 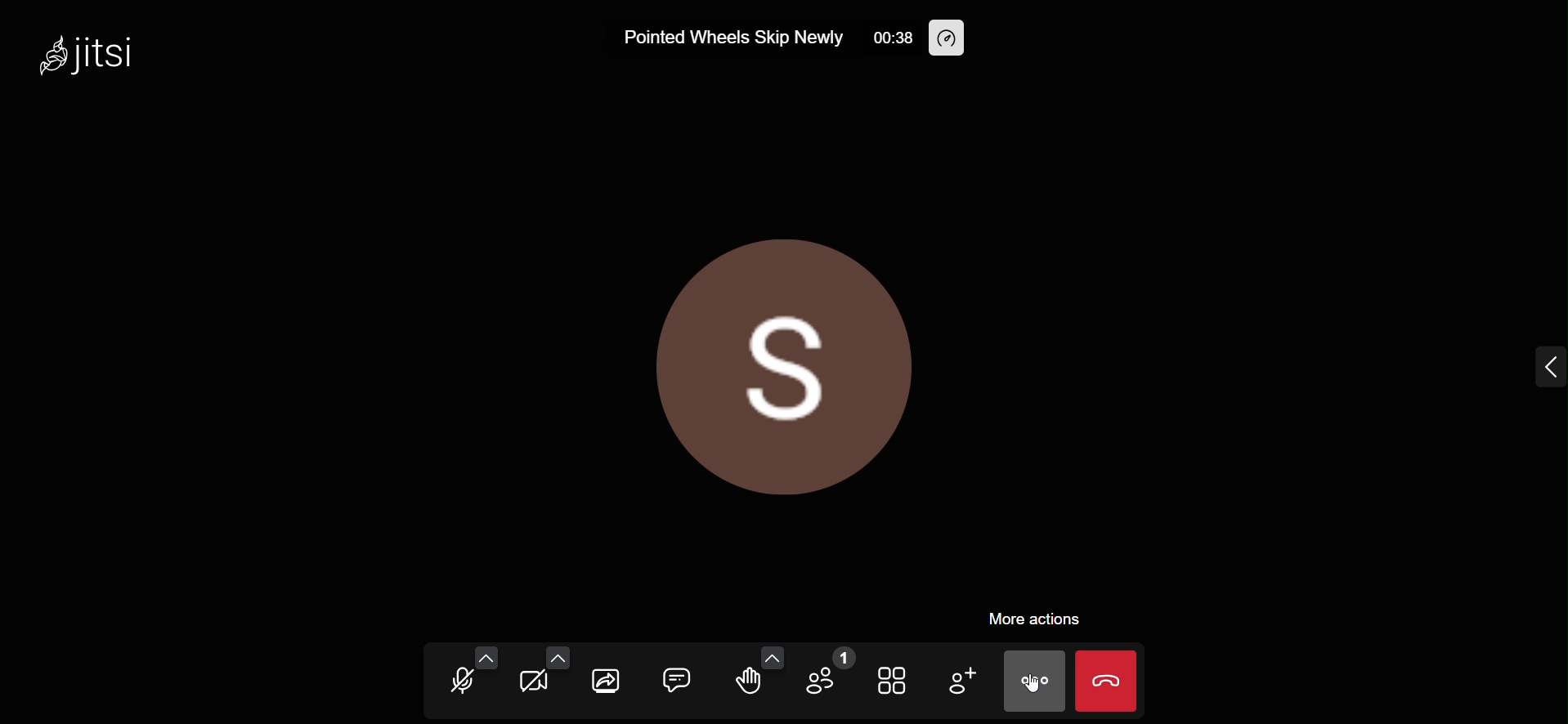 I want to click on raise your hand, so click(x=747, y=686).